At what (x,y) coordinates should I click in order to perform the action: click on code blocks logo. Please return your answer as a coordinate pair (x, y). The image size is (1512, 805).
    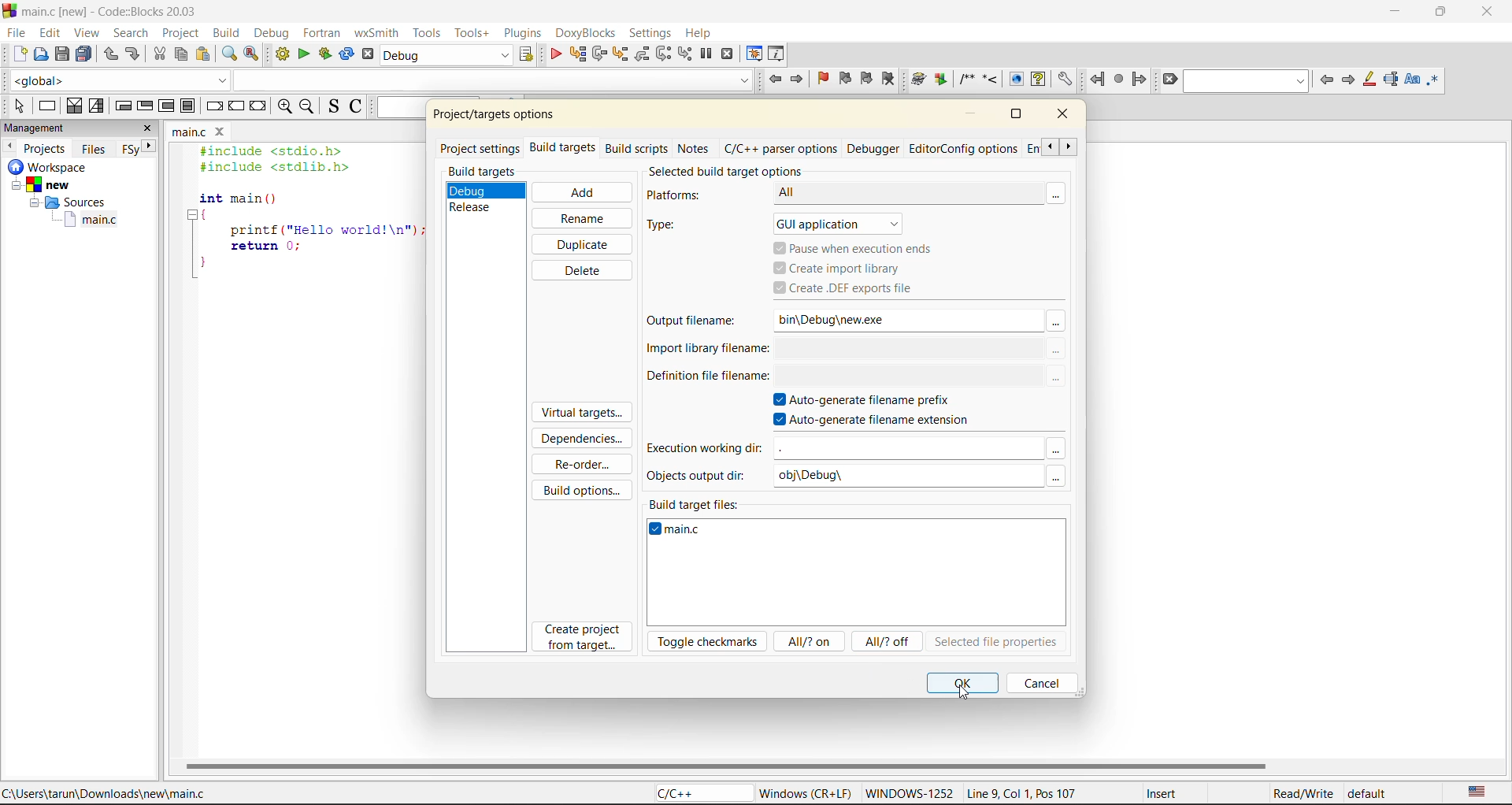
    Looking at the image, I should click on (9, 11).